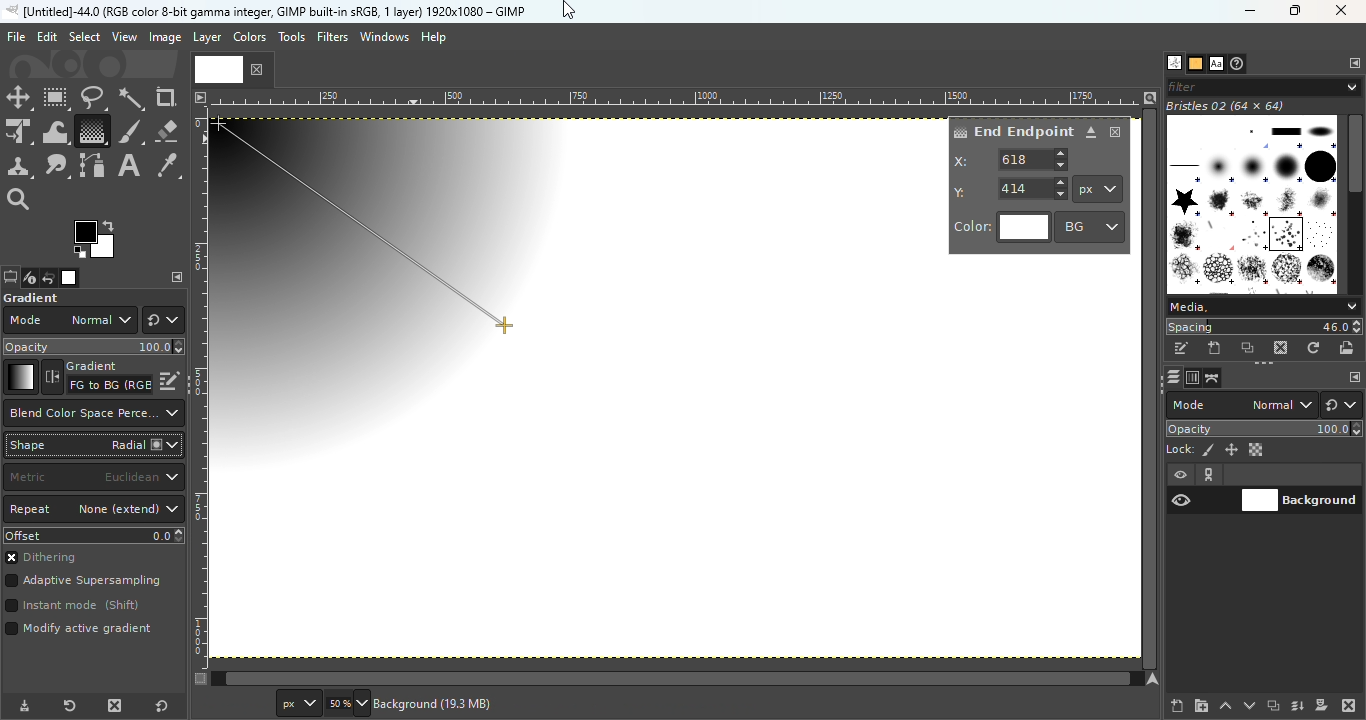 This screenshot has width=1366, height=720. I want to click on Move tool, so click(19, 98).